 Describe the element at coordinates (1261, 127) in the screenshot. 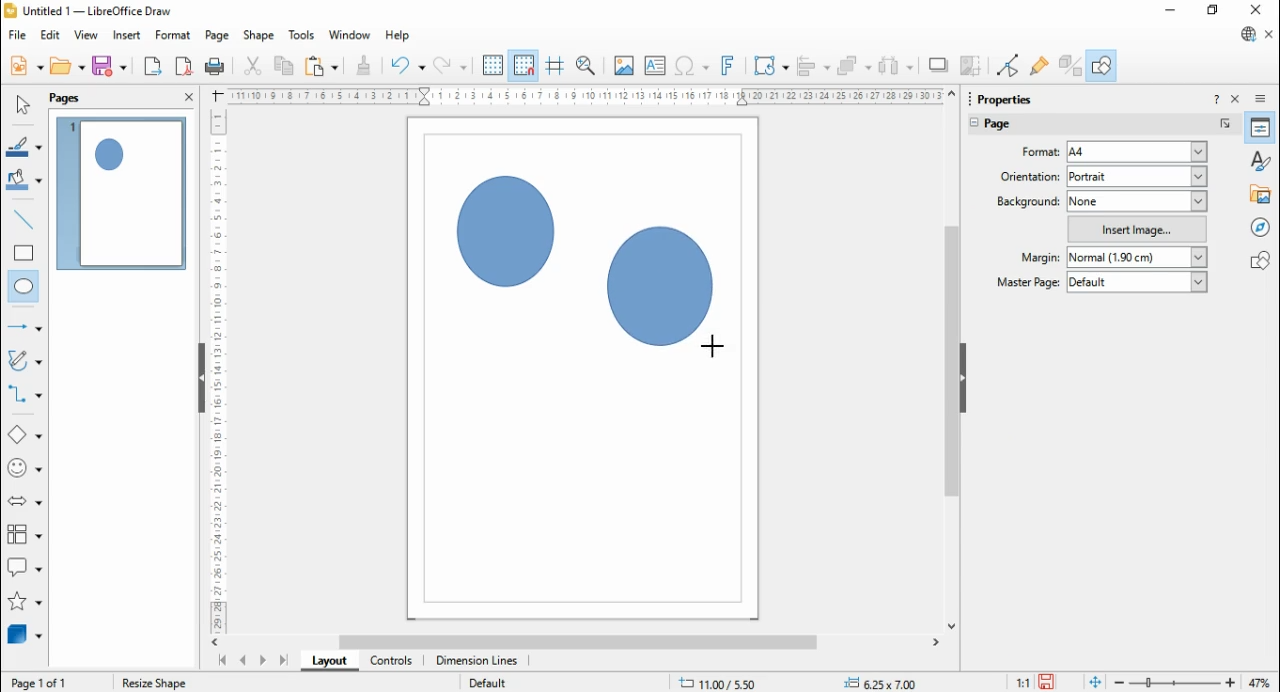

I see `properties` at that location.